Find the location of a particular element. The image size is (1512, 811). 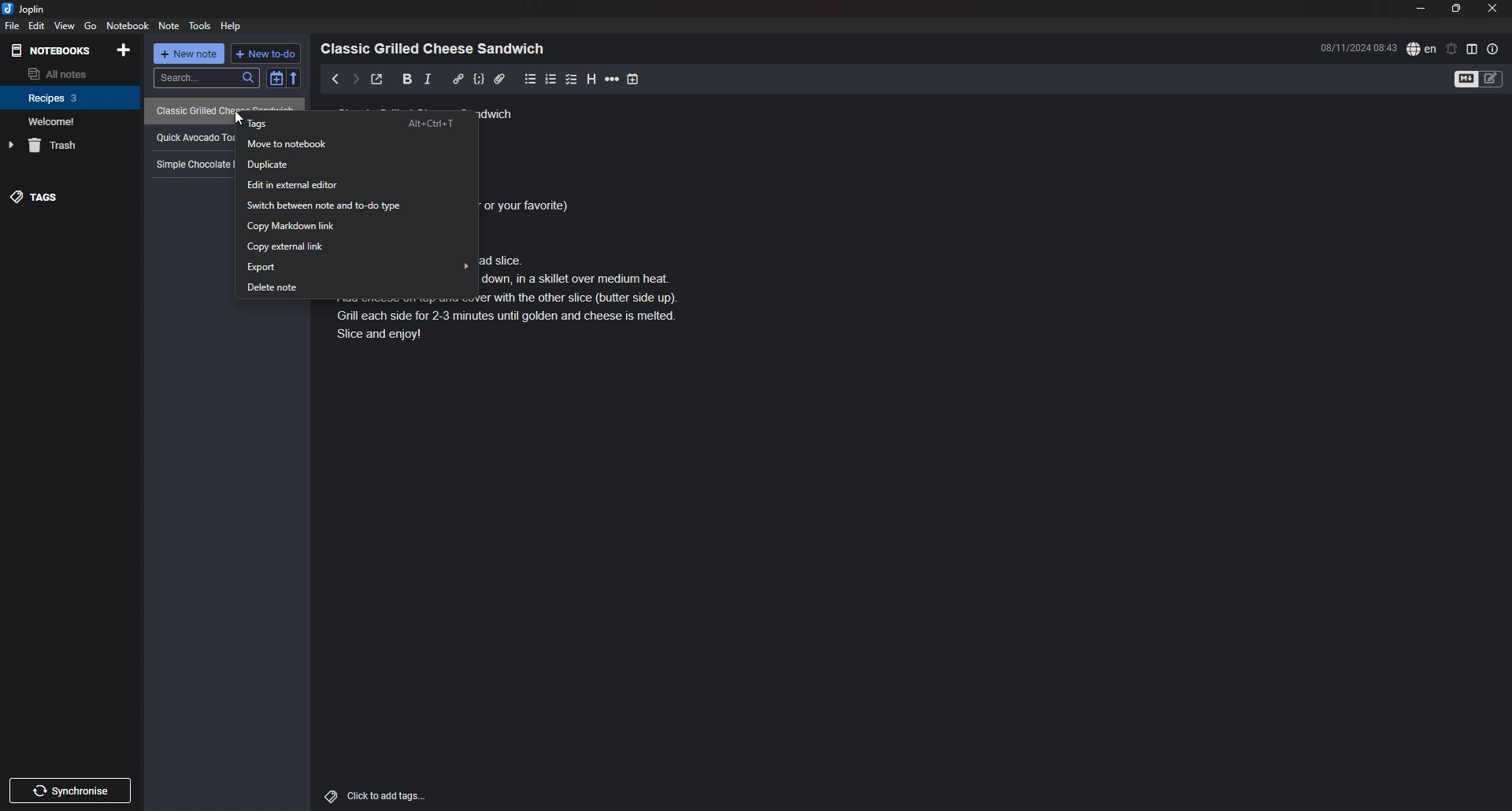

view is located at coordinates (64, 26).